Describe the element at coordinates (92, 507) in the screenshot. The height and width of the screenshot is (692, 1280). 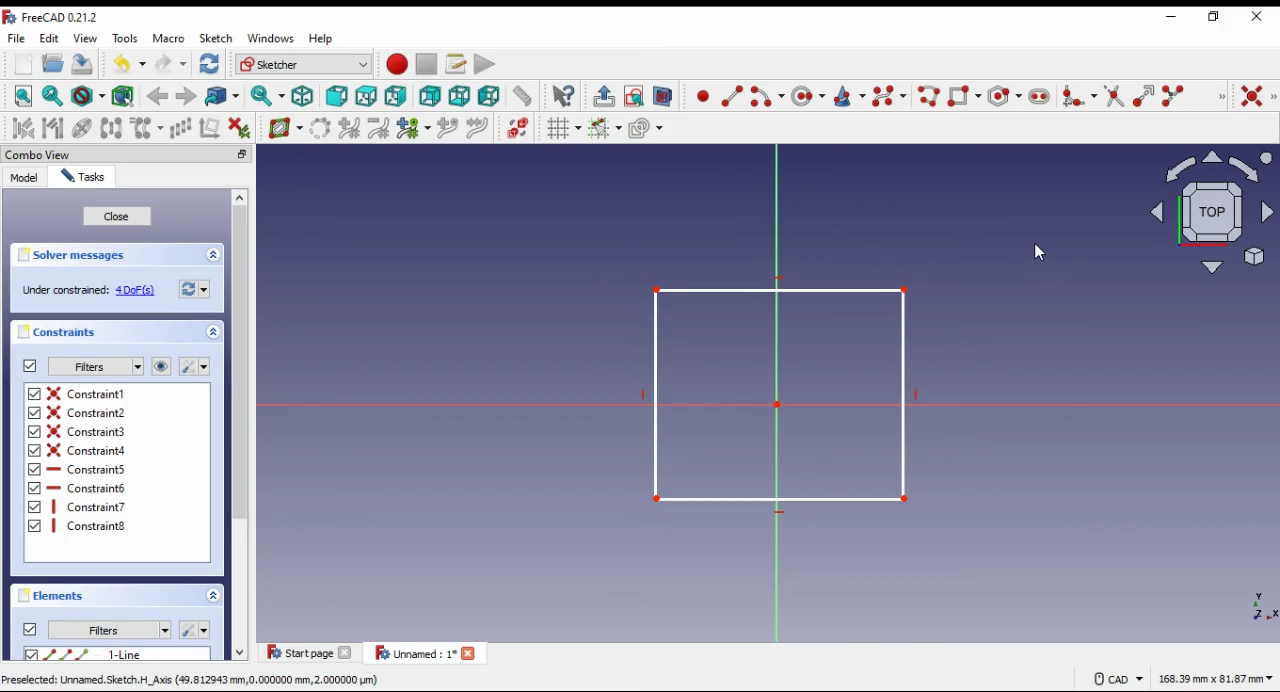
I see `on/off constraint 7` at that location.